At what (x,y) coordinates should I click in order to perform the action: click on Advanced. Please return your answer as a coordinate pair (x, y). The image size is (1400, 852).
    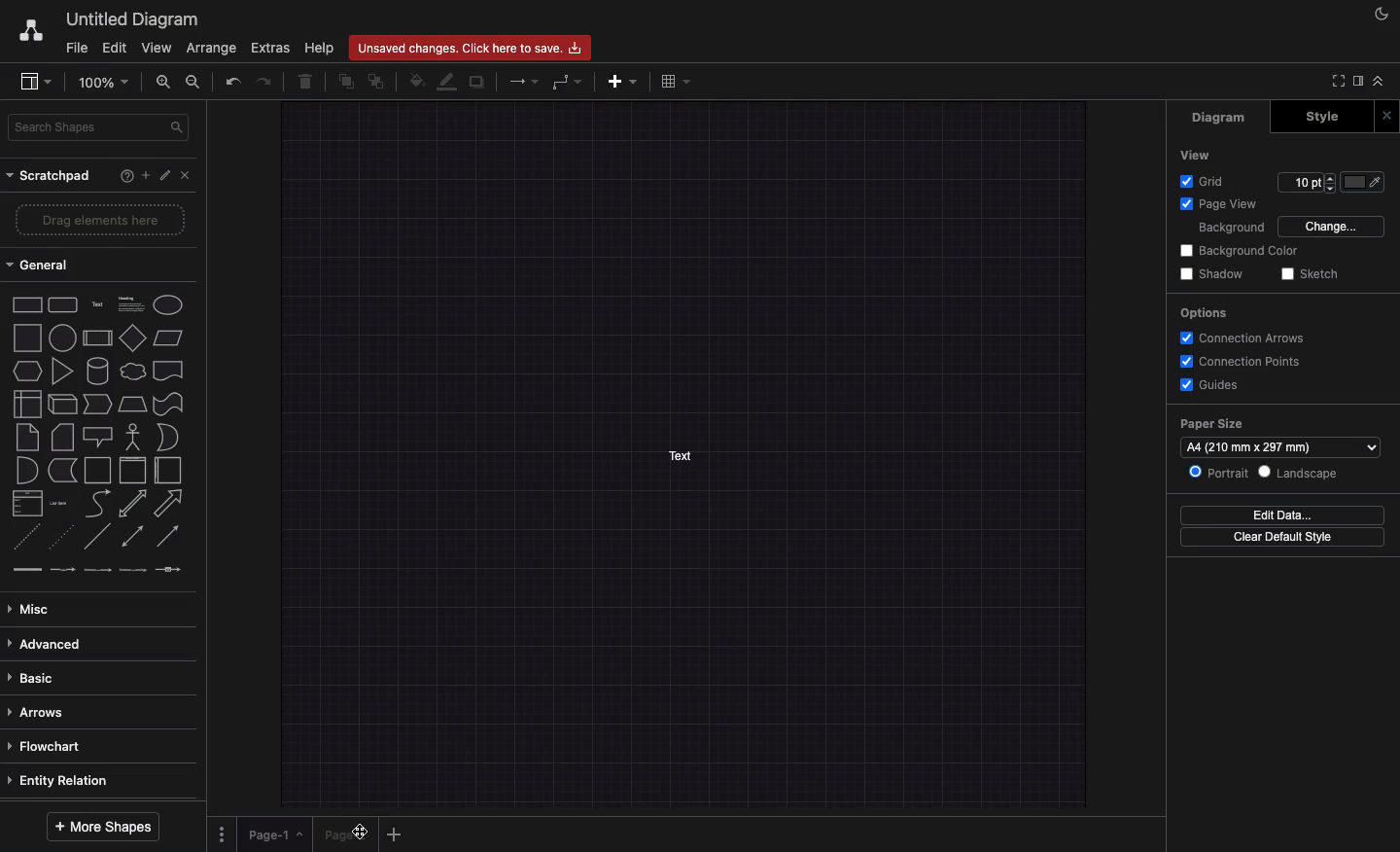
    Looking at the image, I should click on (51, 644).